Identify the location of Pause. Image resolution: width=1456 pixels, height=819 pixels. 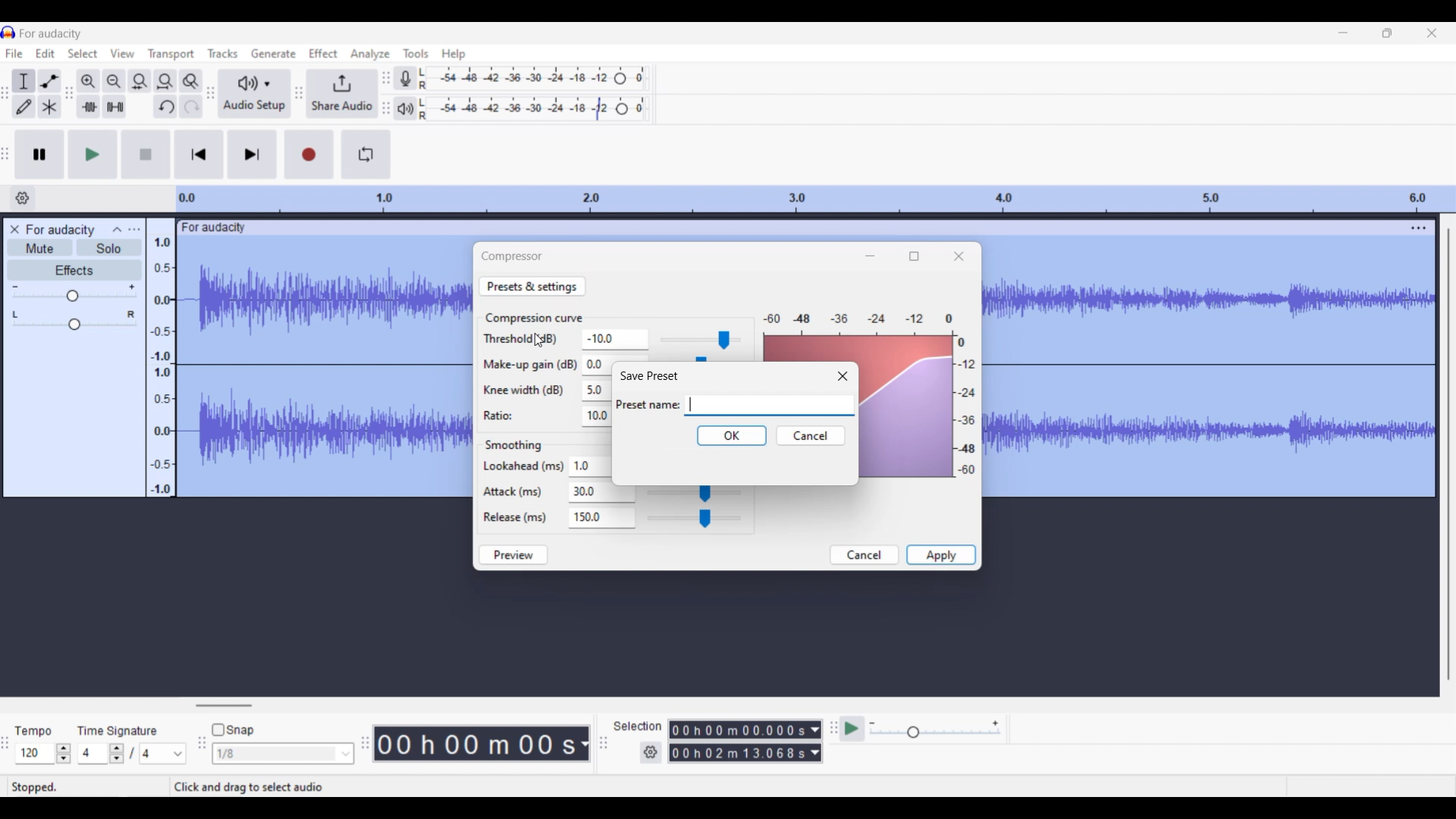
(40, 155).